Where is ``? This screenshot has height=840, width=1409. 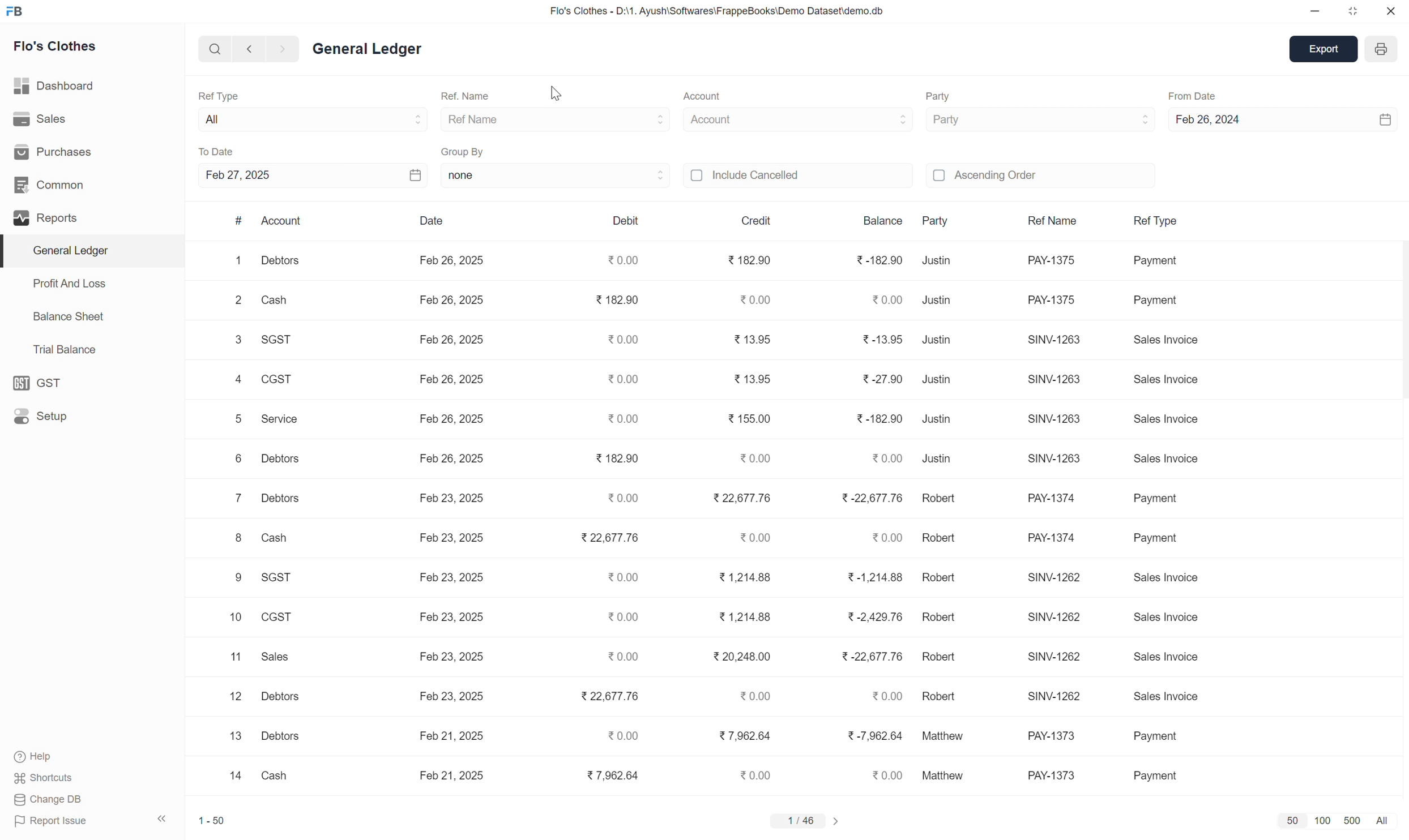  is located at coordinates (140, 94).